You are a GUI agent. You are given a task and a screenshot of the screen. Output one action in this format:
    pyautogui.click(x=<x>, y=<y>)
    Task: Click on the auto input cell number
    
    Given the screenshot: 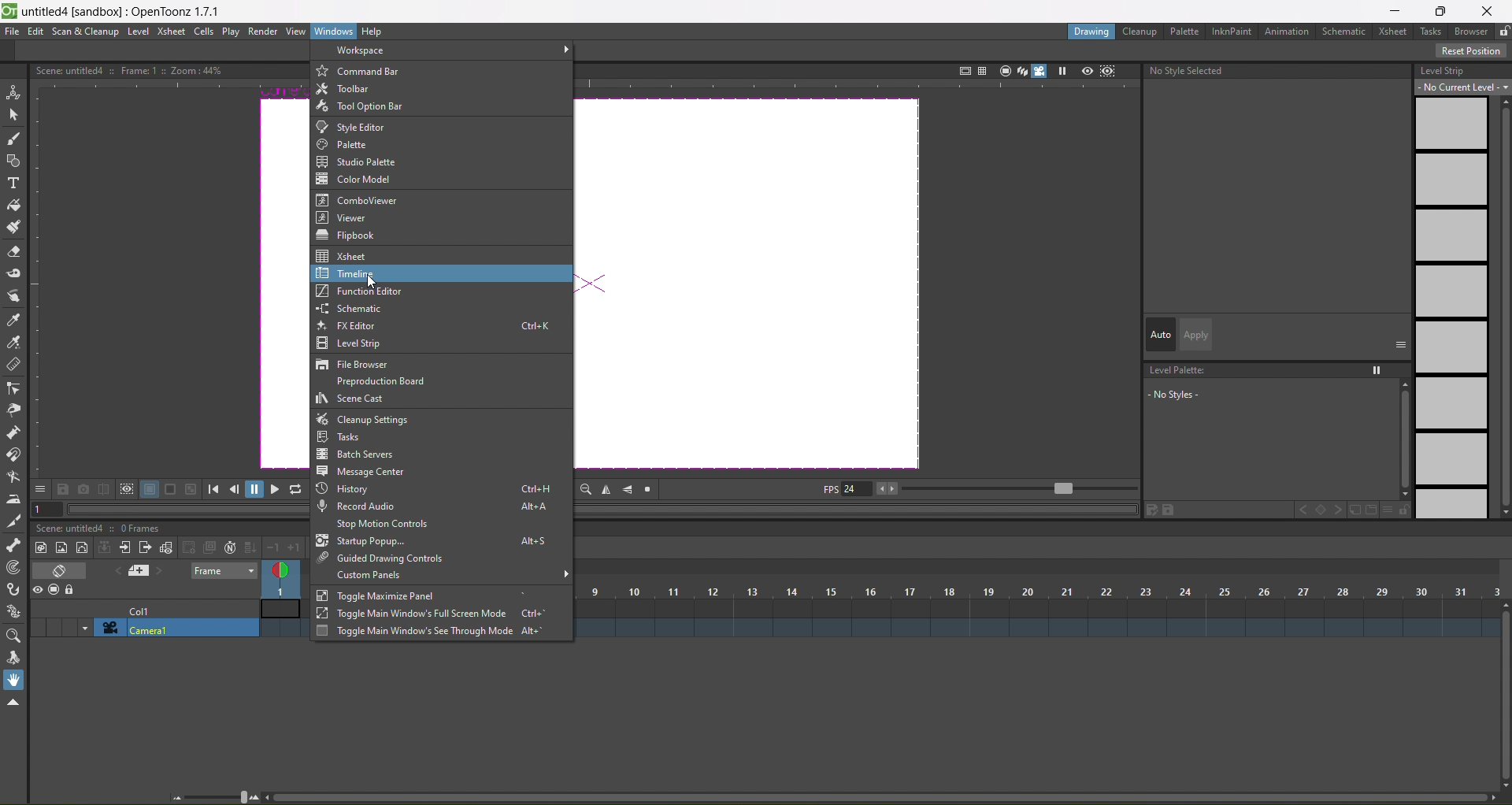 What is the action you would take?
    pyautogui.click(x=227, y=548)
    